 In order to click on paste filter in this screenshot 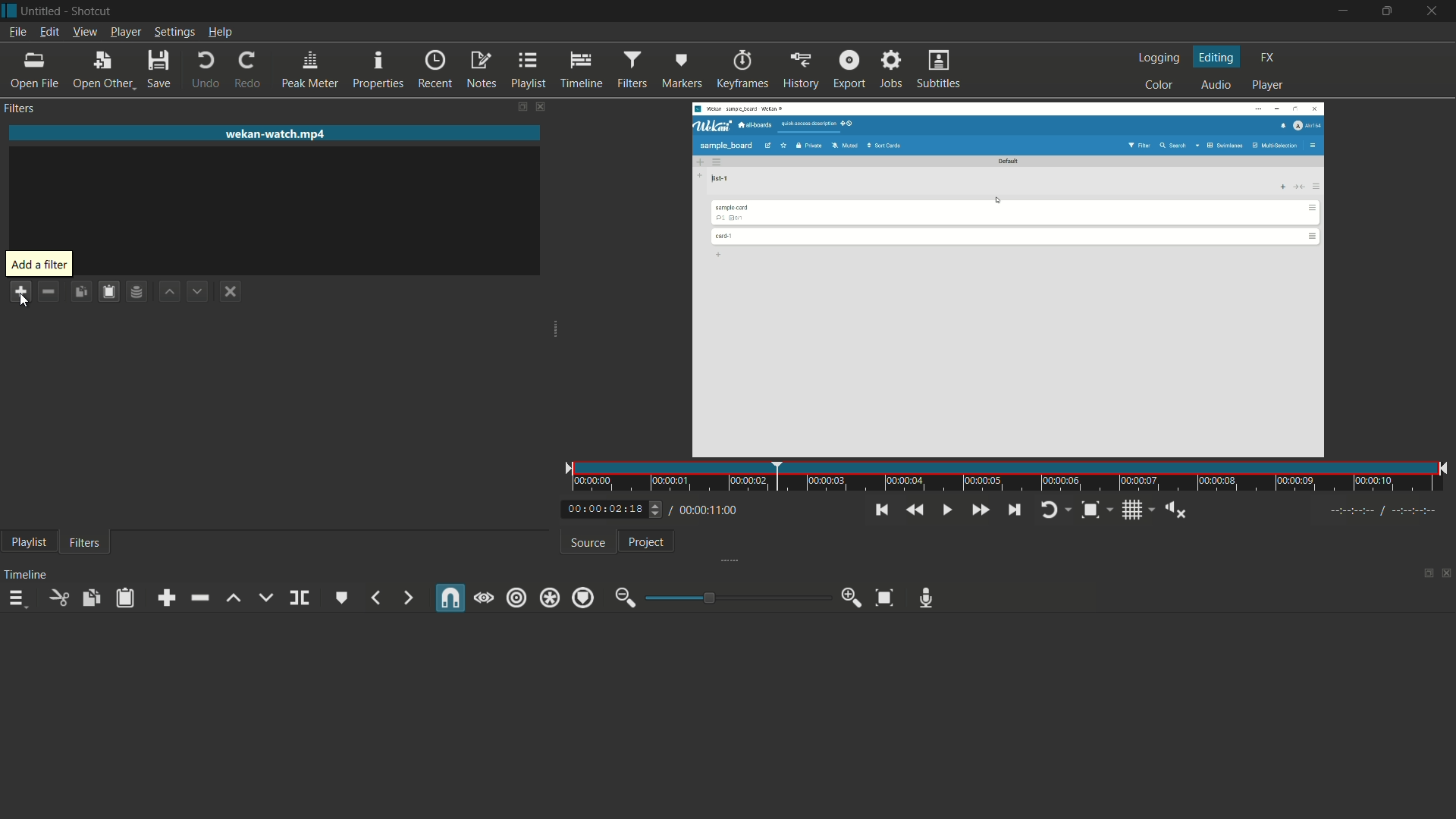, I will do `click(110, 291)`.